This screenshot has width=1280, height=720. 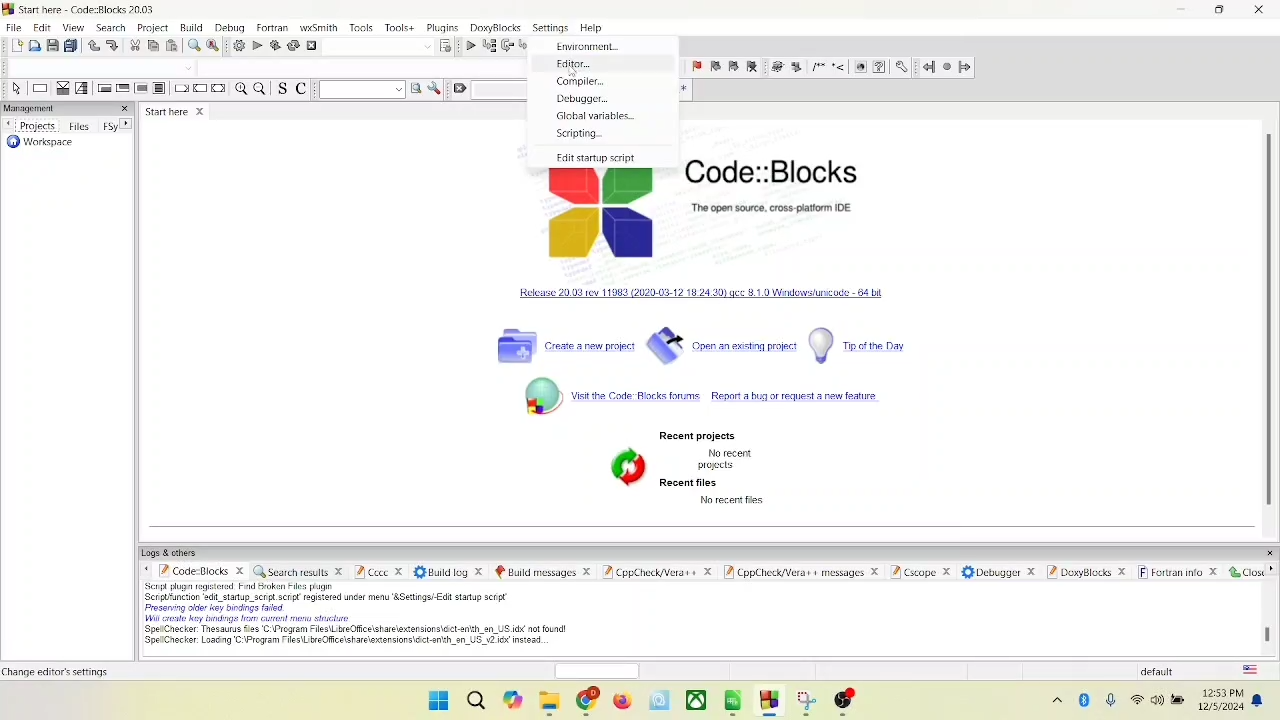 I want to click on tools, so click(x=363, y=27).